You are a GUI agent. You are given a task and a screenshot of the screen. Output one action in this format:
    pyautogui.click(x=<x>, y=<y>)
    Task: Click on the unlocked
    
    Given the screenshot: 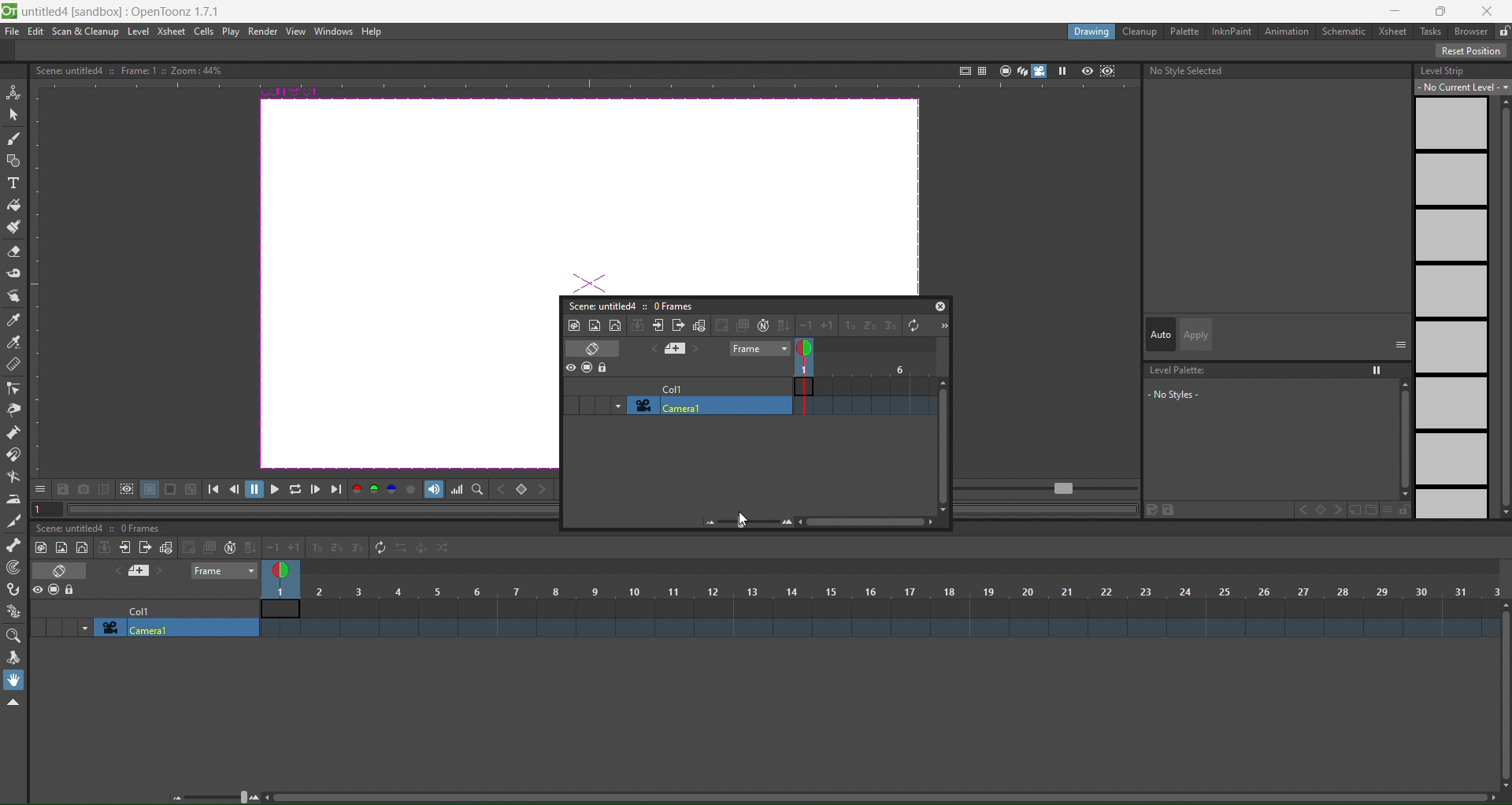 What is the action you would take?
    pyautogui.click(x=1503, y=29)
    